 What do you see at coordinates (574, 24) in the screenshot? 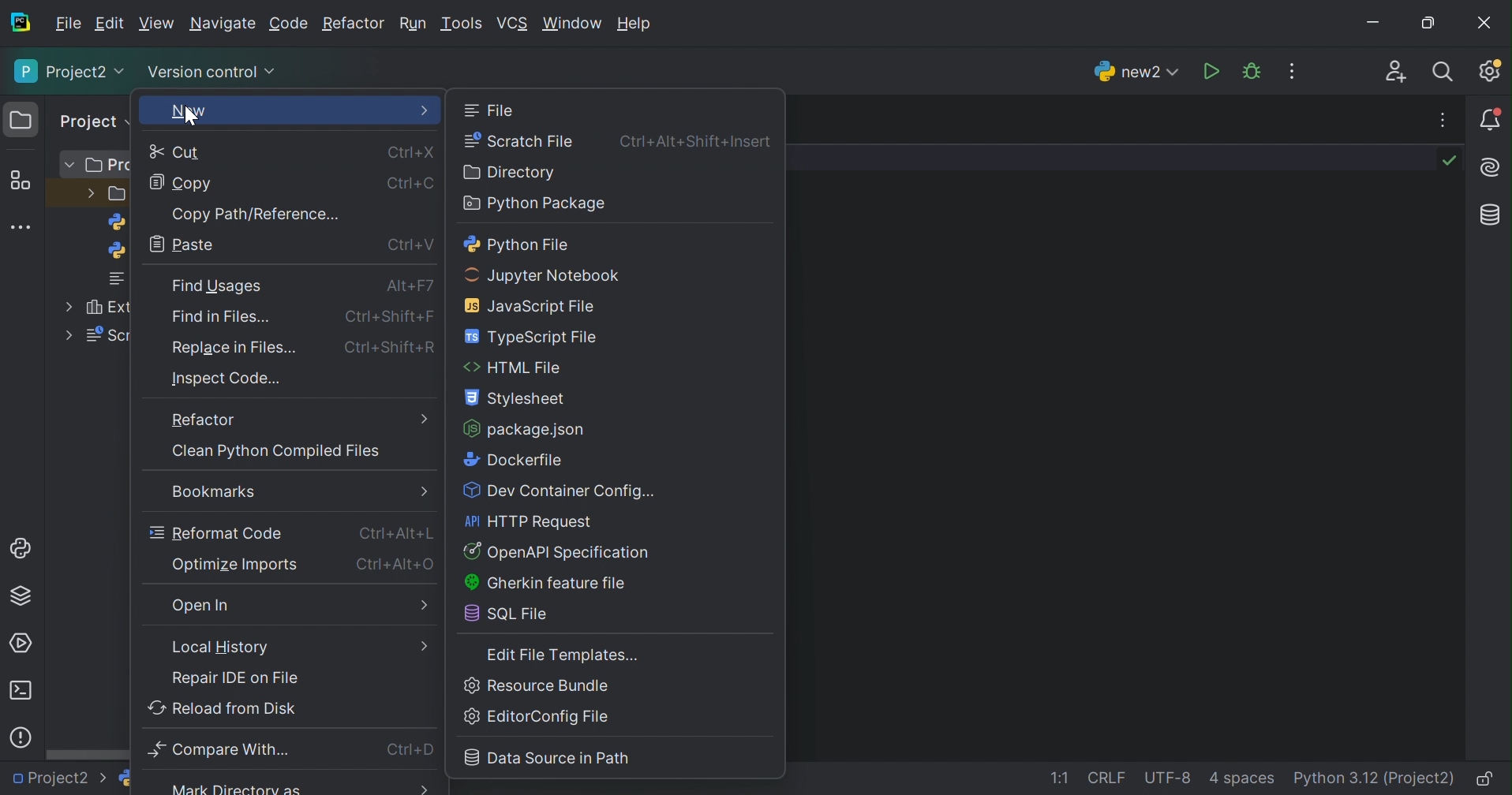
I see `Windows` at bounding box center [574, 24].